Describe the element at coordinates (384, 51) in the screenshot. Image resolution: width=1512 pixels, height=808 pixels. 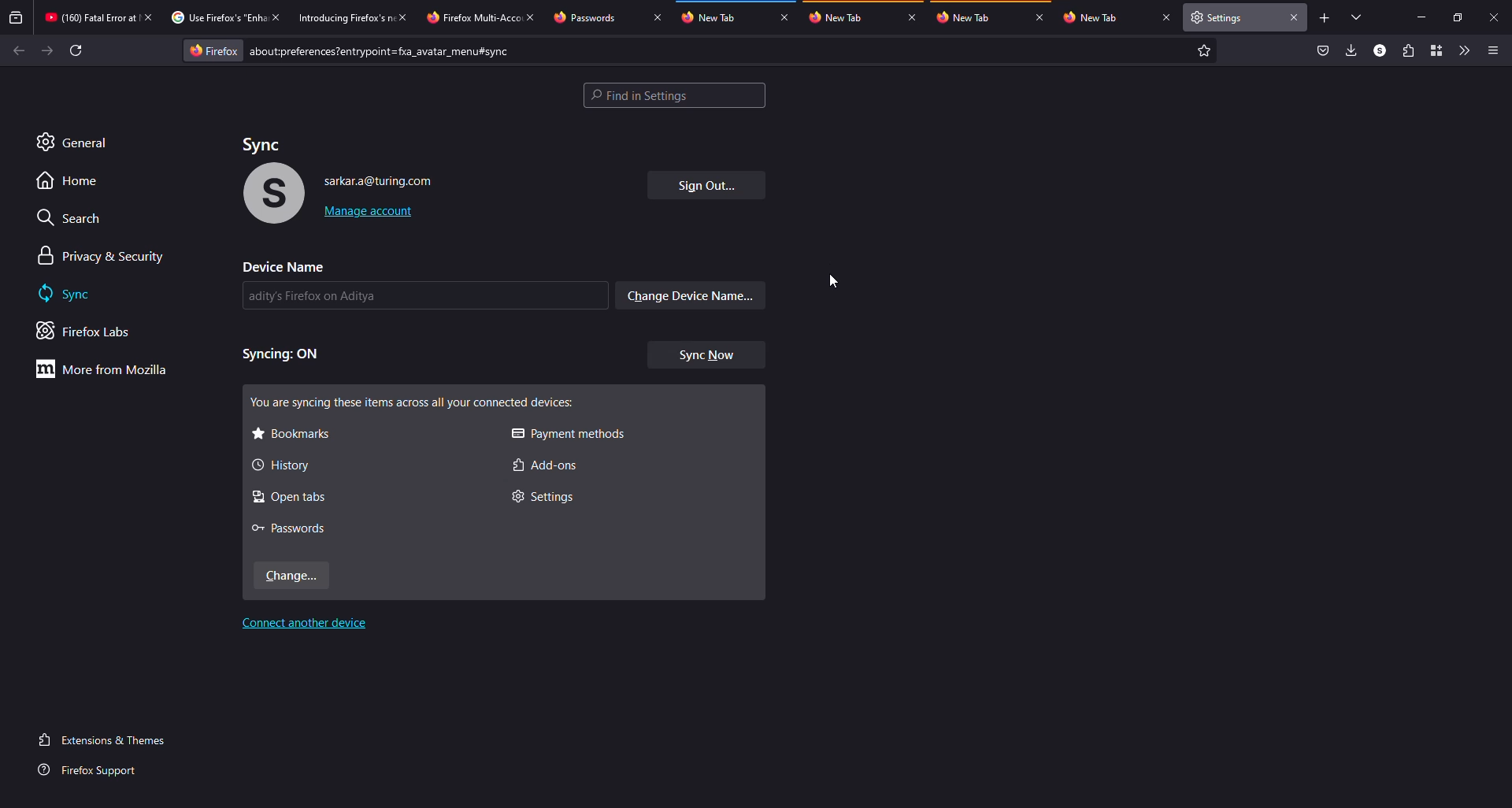
I see `prefernces` at that location.